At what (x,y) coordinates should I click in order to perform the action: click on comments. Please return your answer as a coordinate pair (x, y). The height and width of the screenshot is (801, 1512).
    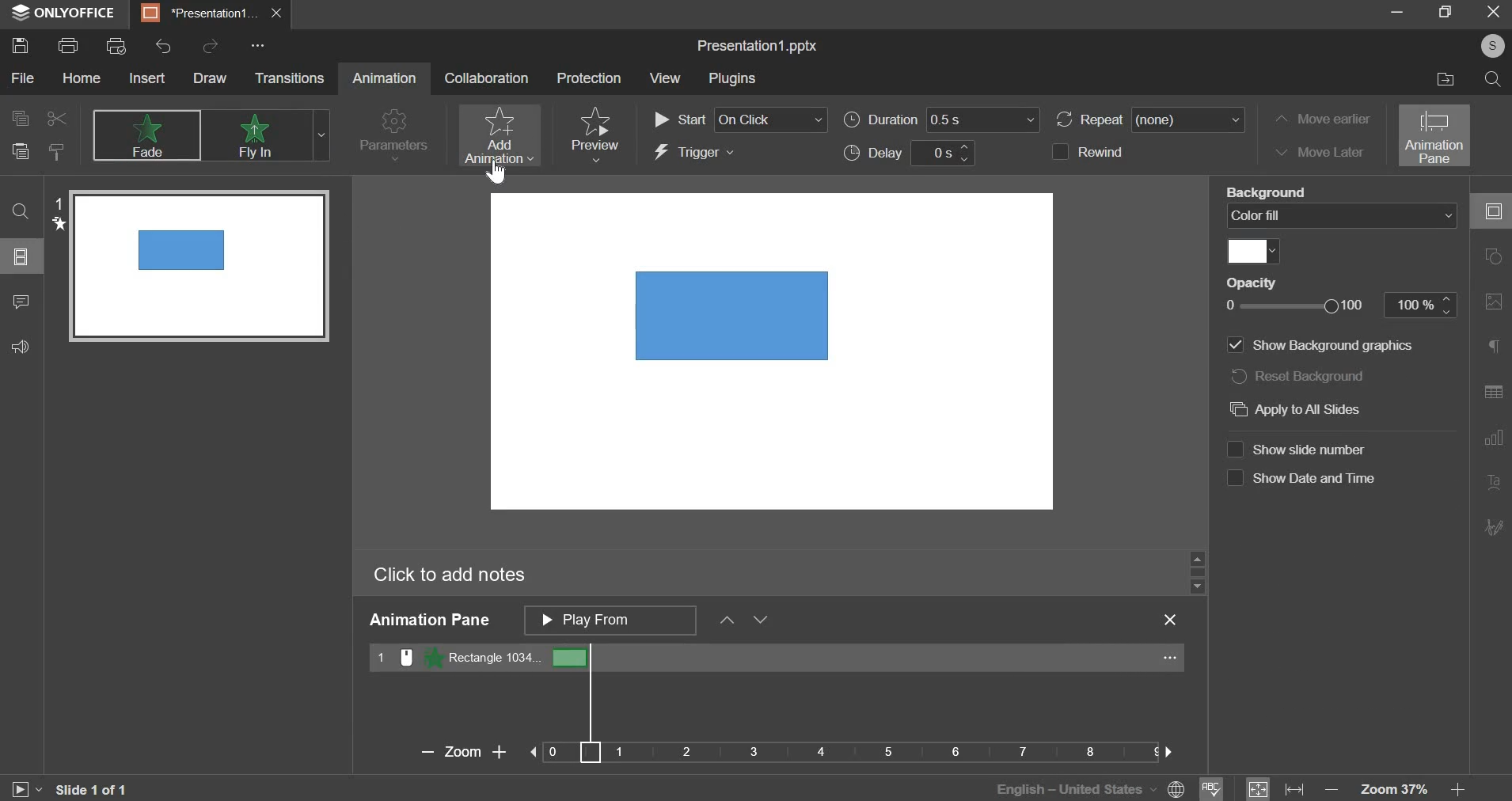
    Looking at the image, I should click on (25, 302).